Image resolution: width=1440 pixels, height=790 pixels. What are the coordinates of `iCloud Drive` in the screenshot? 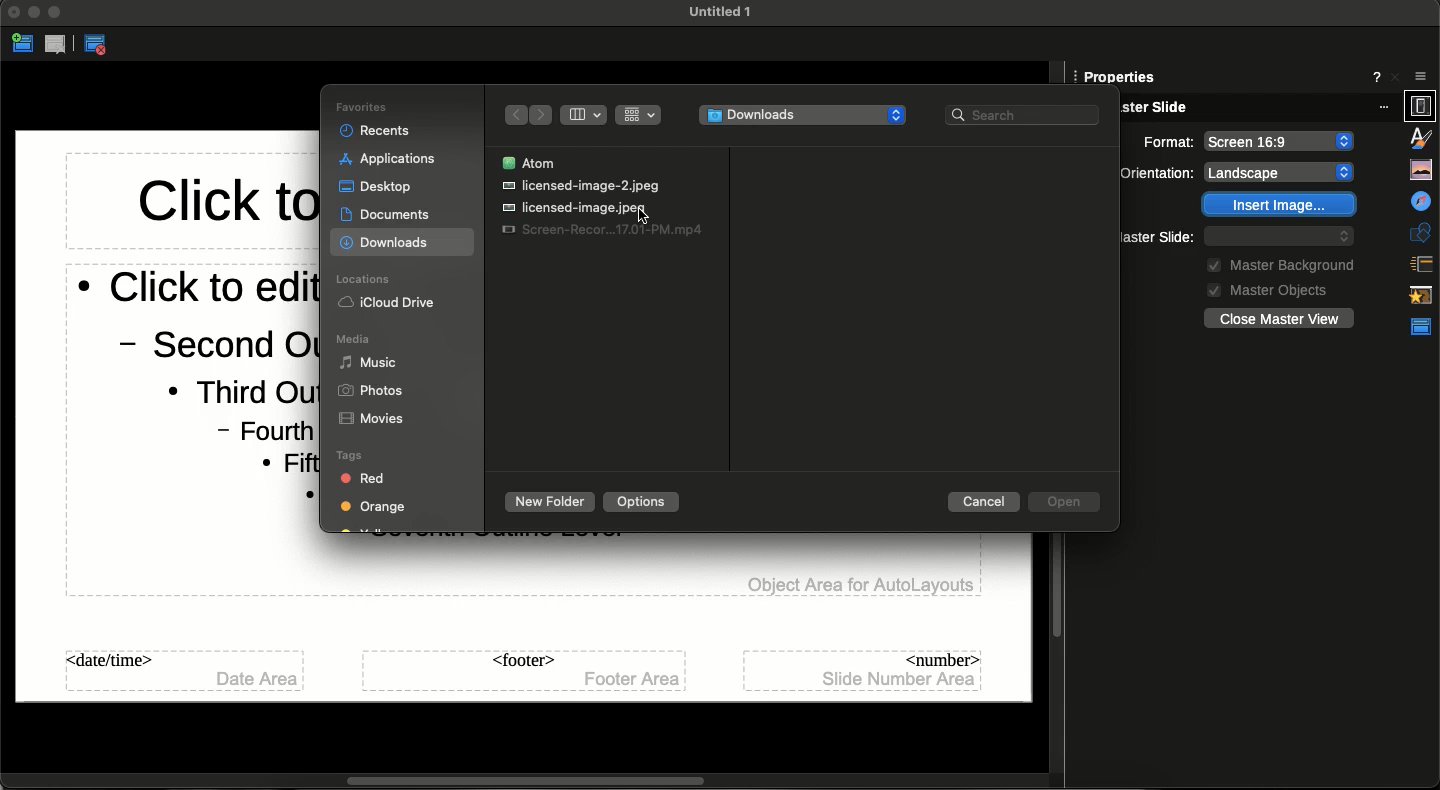 It's located at (387, 305).